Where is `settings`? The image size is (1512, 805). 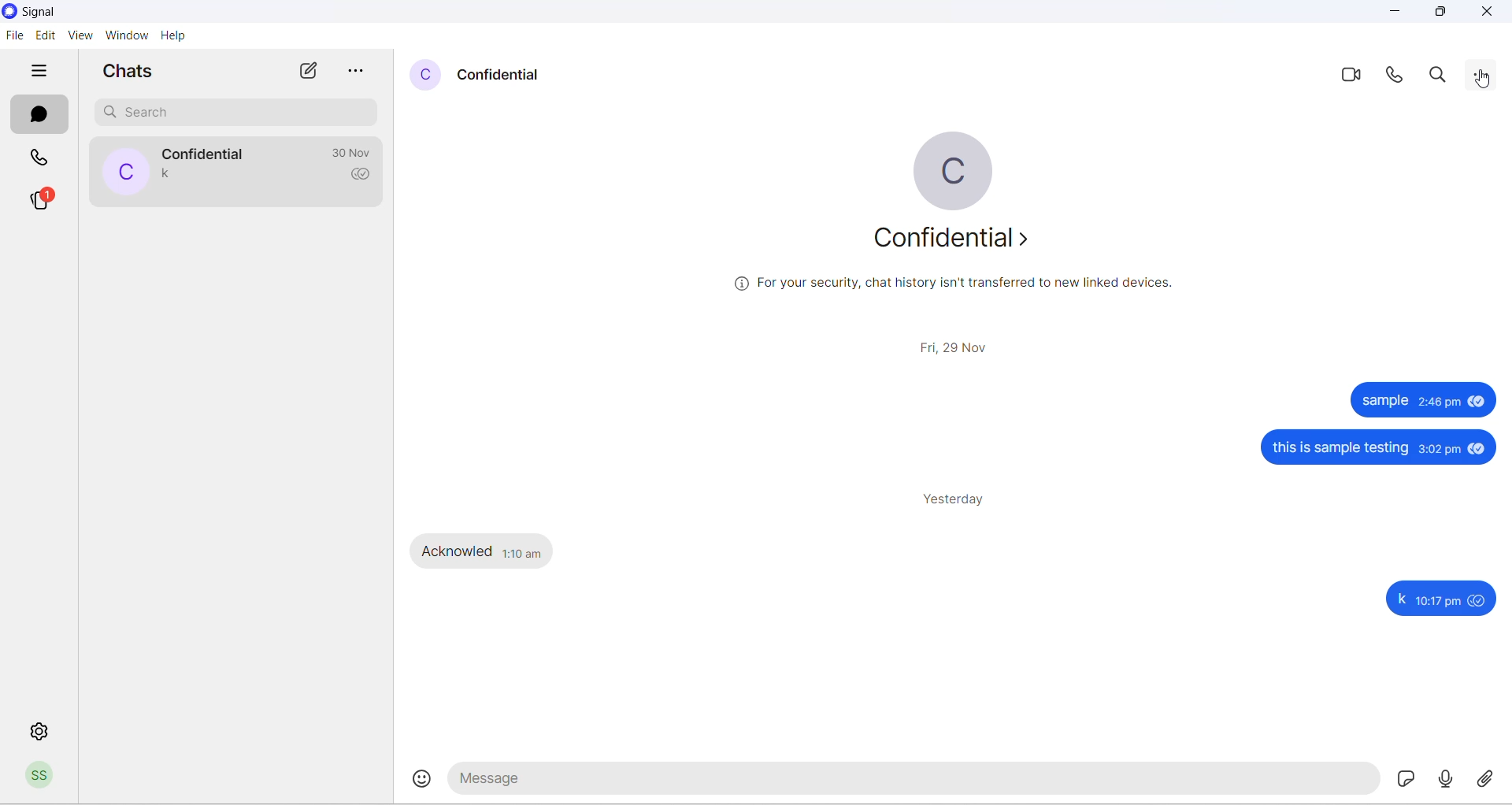
settings is located at coordinates (43, 736).